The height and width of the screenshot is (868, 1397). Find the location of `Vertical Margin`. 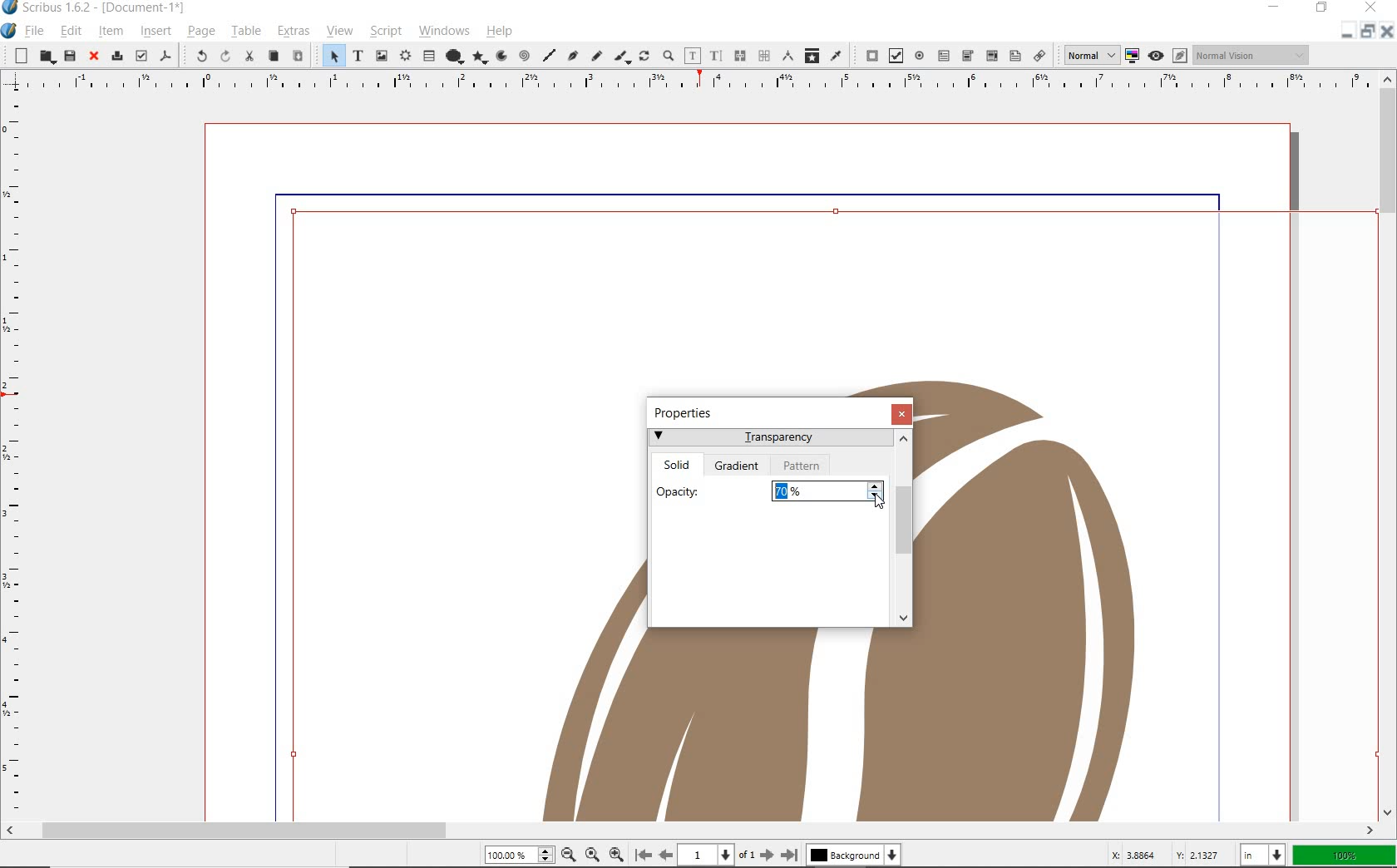

Vertical Margin is located at coordinates (14, 458).